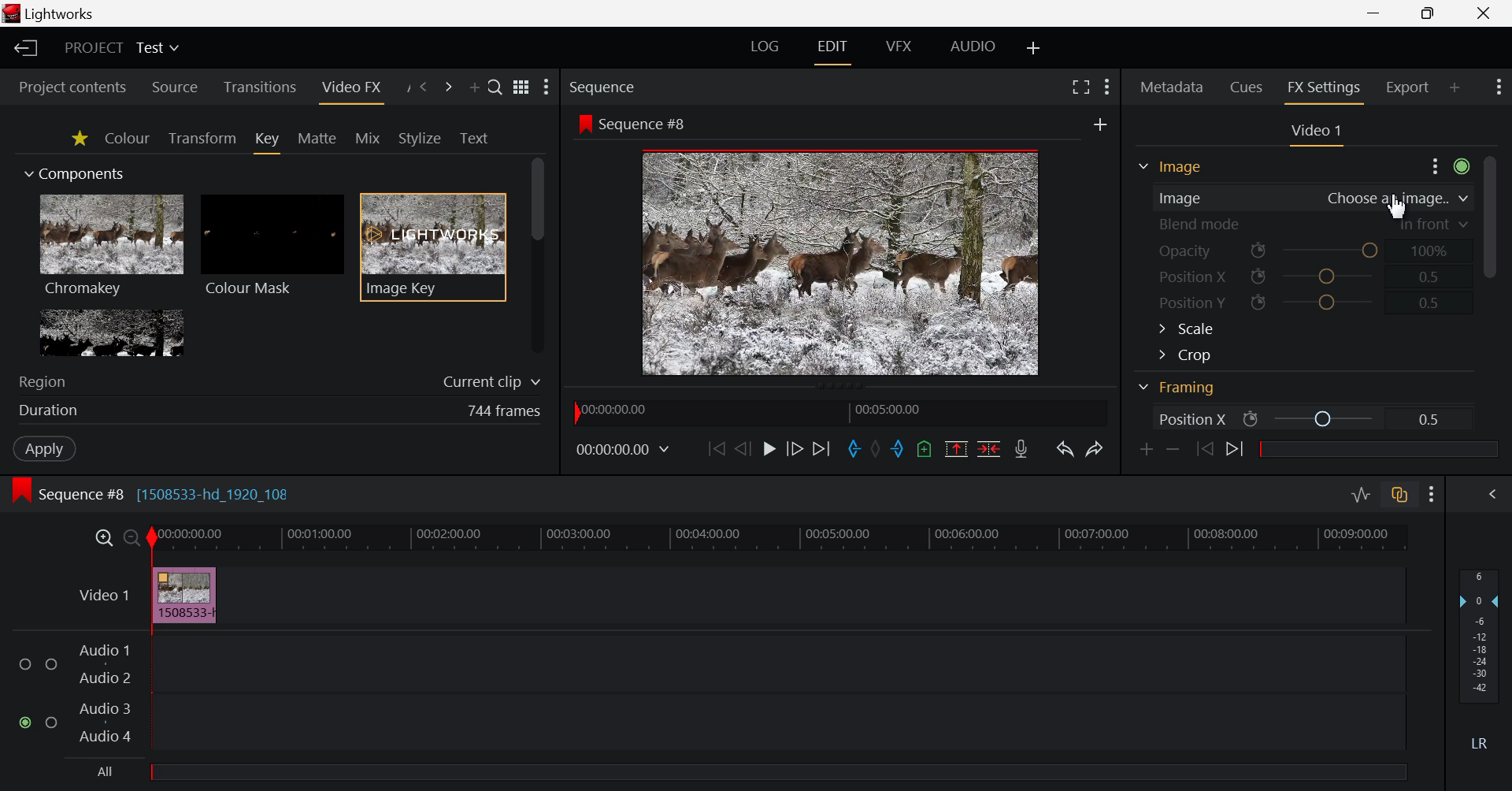 Image resolution: width=1512 pixels, height=791 pixels. What do you see at coordinates (521, 85) in the screenshot?
I see `toggle between list and title view` at bounding box center [521, 85].